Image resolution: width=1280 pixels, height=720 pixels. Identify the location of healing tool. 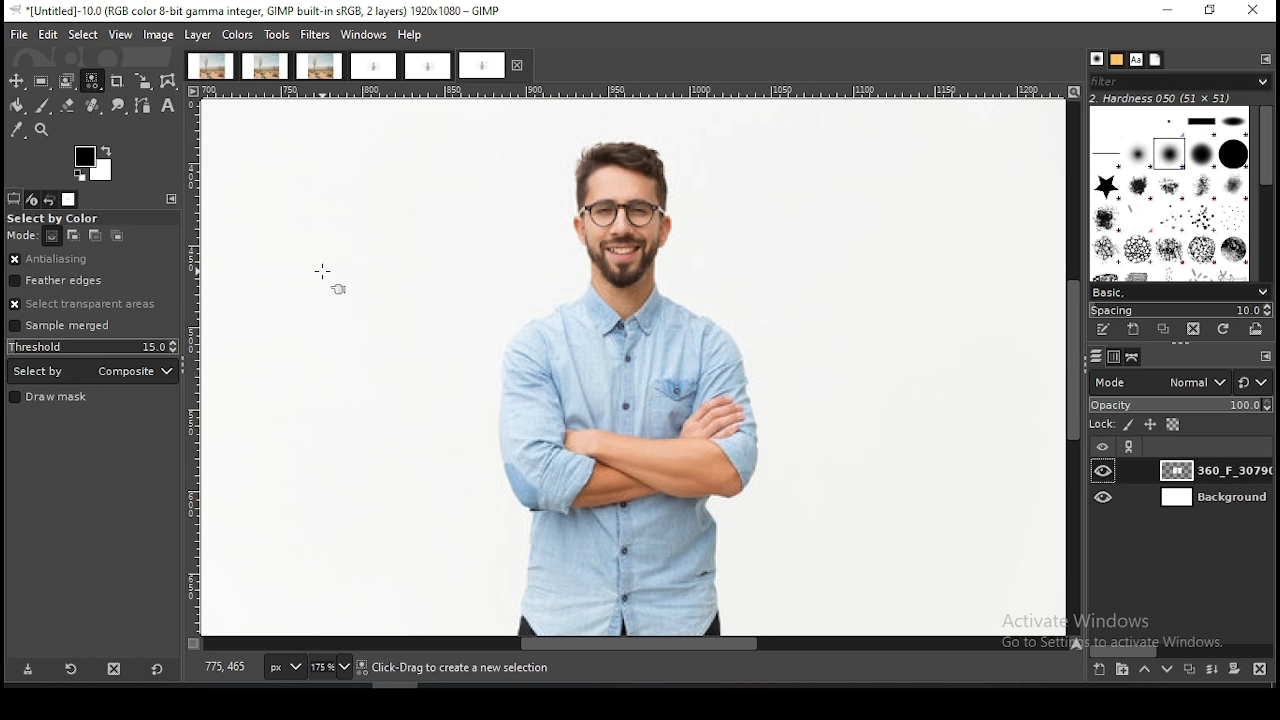
(94, 106).